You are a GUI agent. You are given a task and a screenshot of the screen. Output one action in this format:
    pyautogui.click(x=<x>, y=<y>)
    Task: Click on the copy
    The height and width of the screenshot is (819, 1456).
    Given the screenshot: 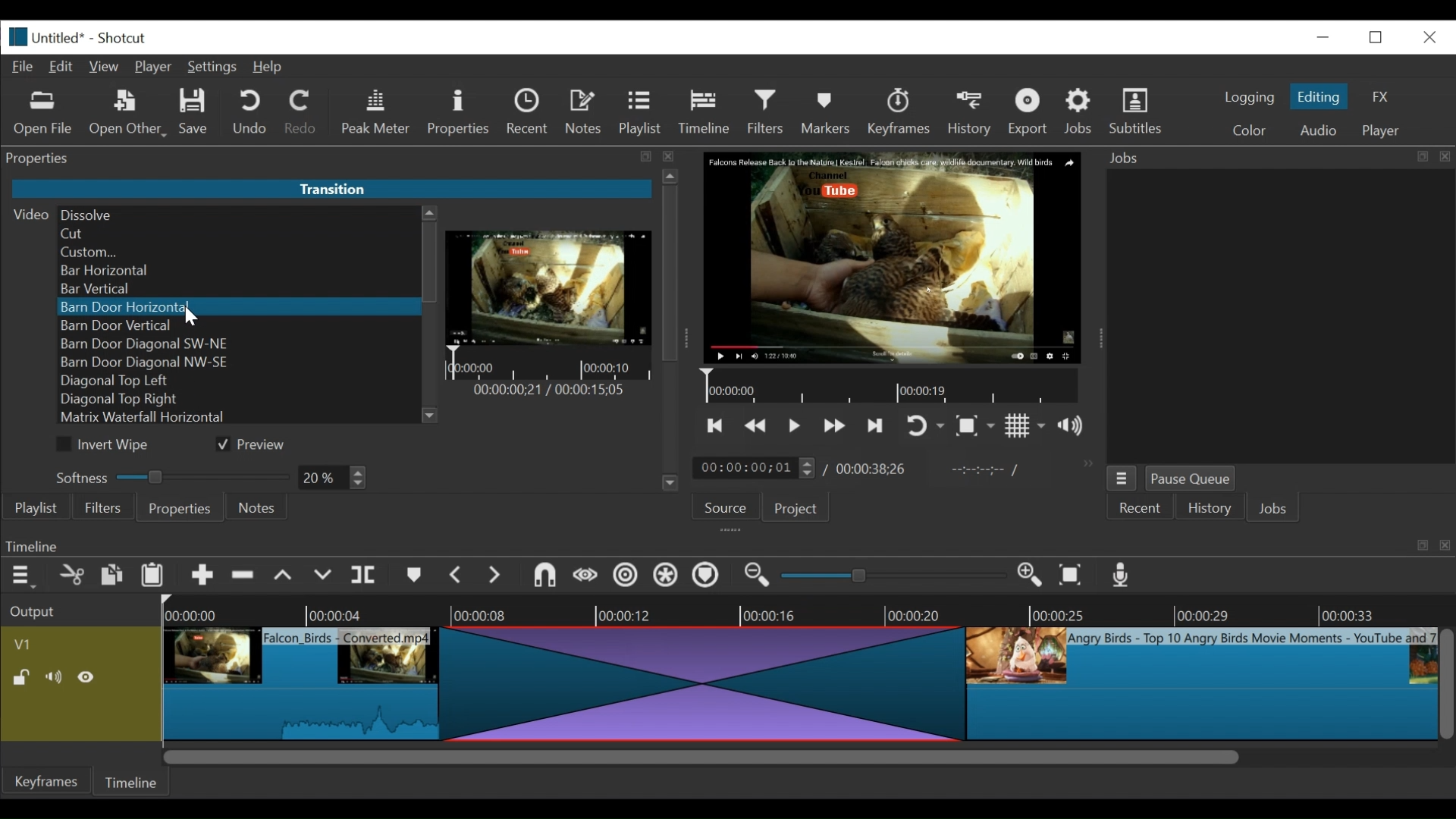 What is the action you would take?
    pyautogui.click(x=113, y=577)
    